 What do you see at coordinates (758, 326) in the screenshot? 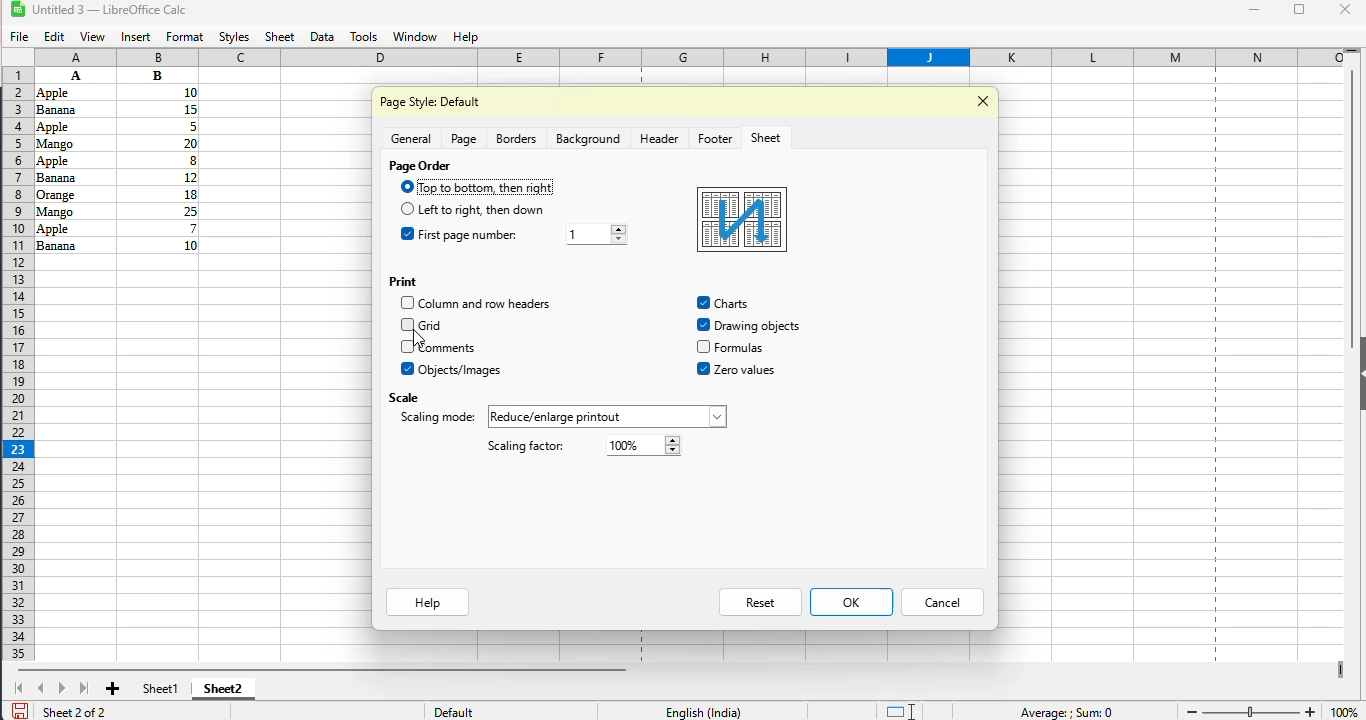
I see `` at bounding box center [758, 326].